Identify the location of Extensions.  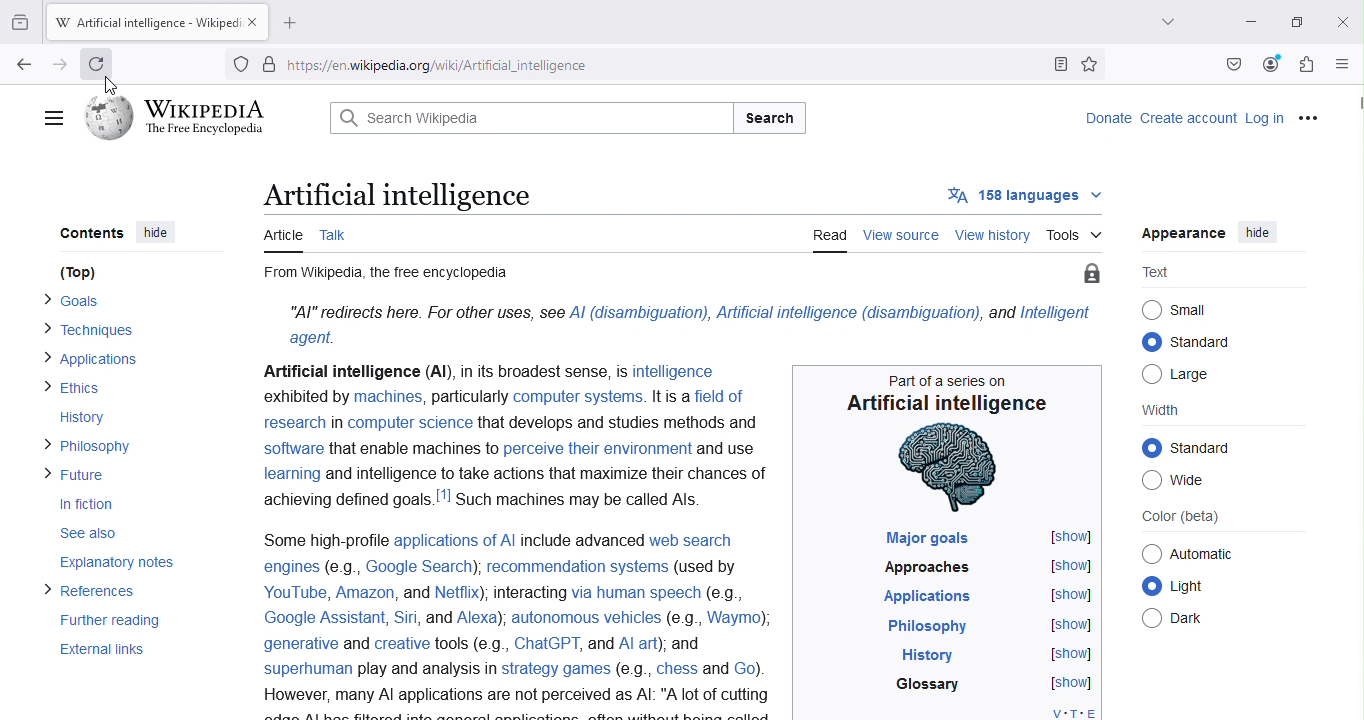
(1308, 66).